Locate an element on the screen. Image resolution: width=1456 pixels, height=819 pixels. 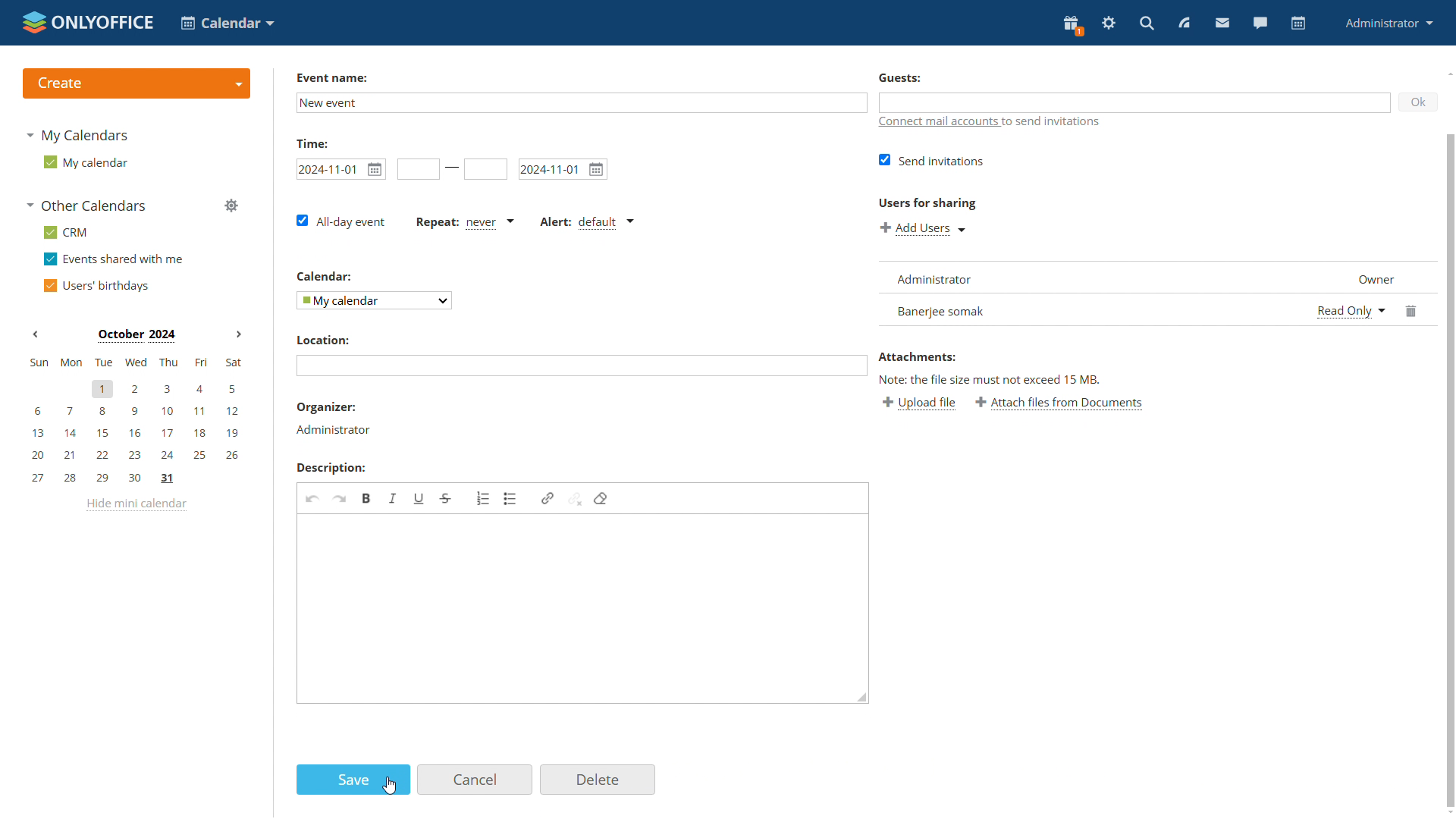
serringas is located at coordinates (1109, 24).